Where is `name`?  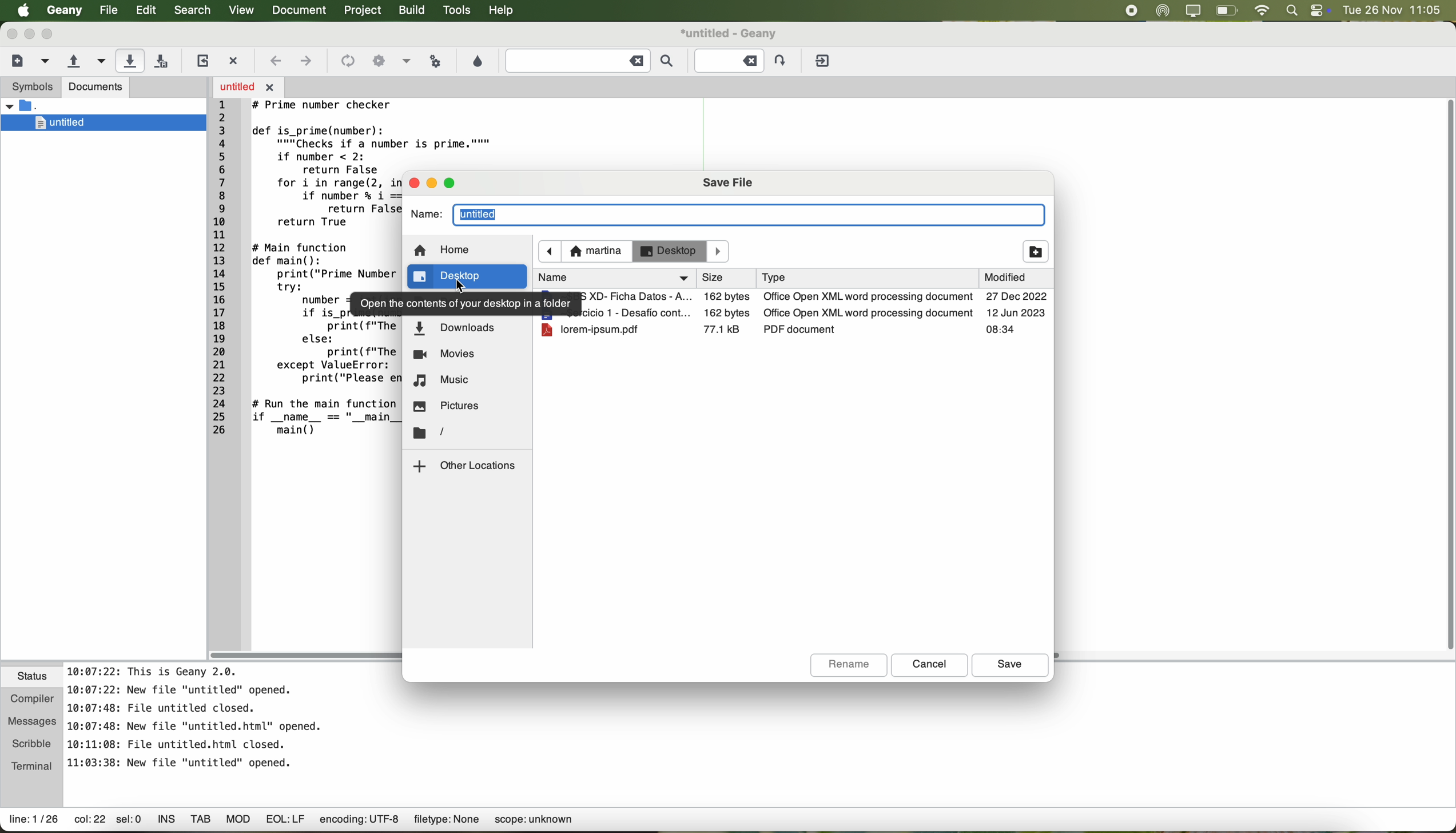
name is located at coordinates (725, 278).